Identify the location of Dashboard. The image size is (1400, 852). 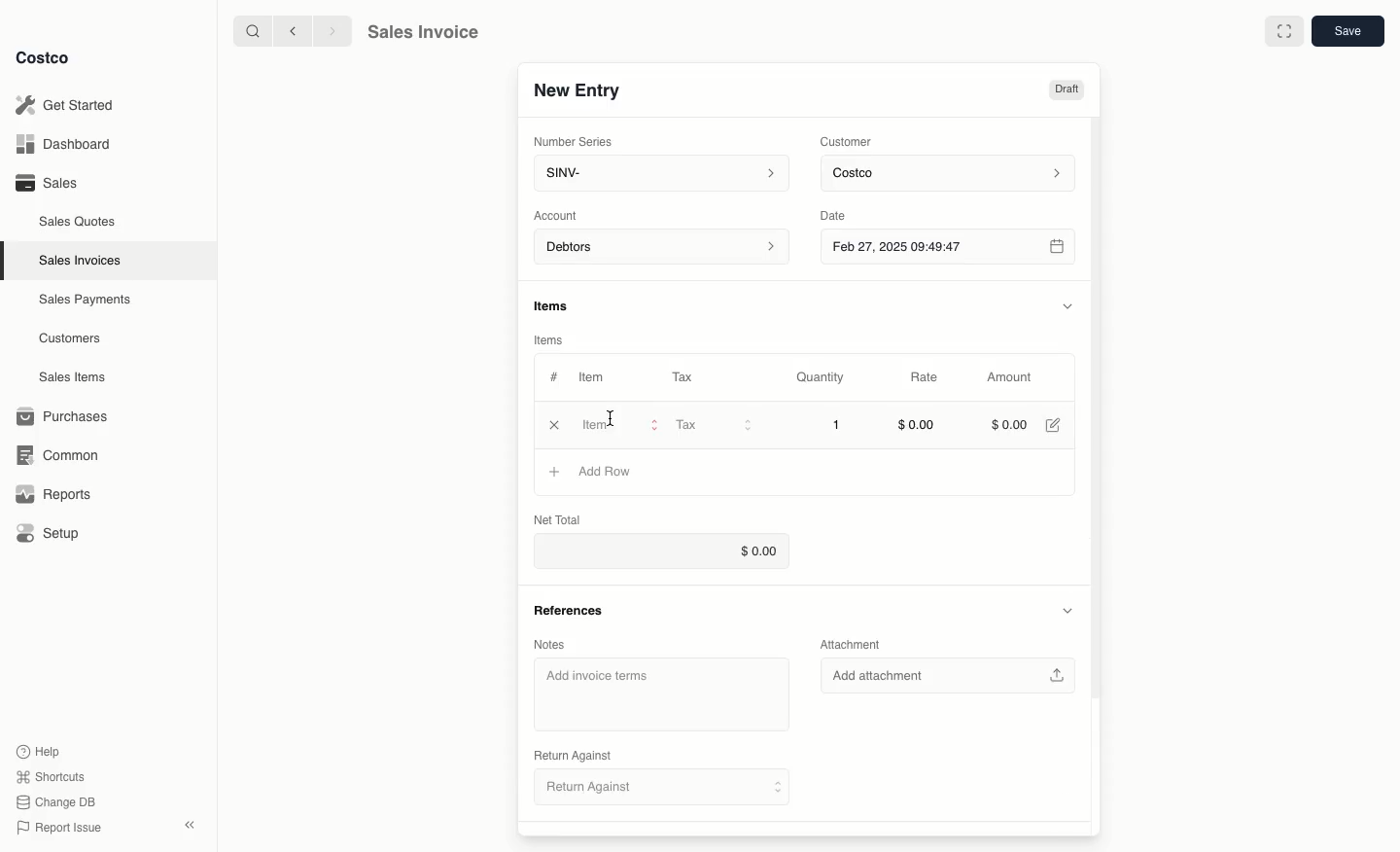
(68, 145).